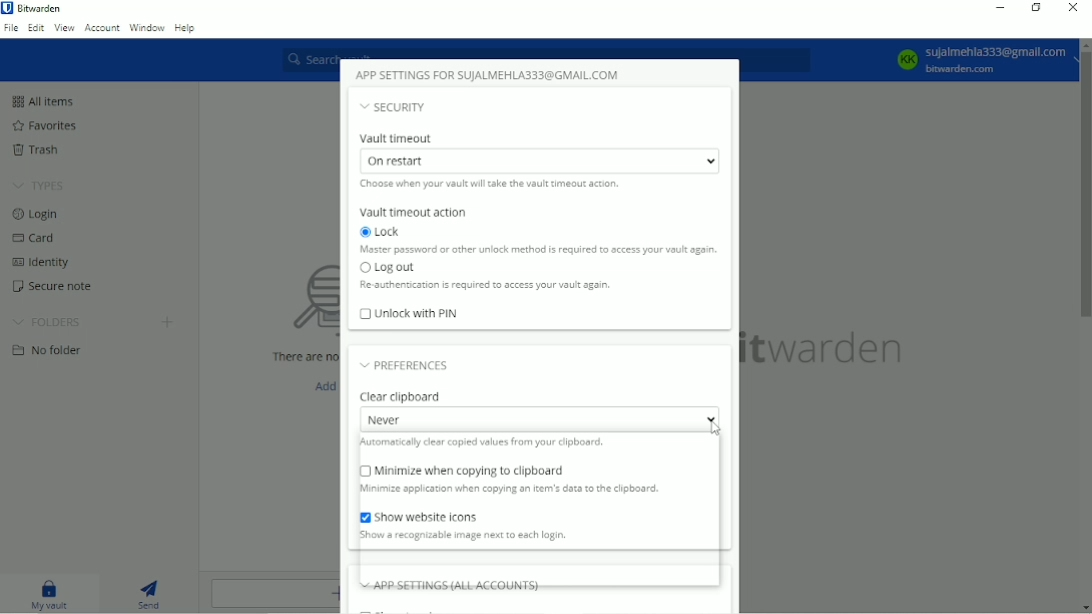  I want to click on Minimize when copying to clipboard, so click(513, 479).